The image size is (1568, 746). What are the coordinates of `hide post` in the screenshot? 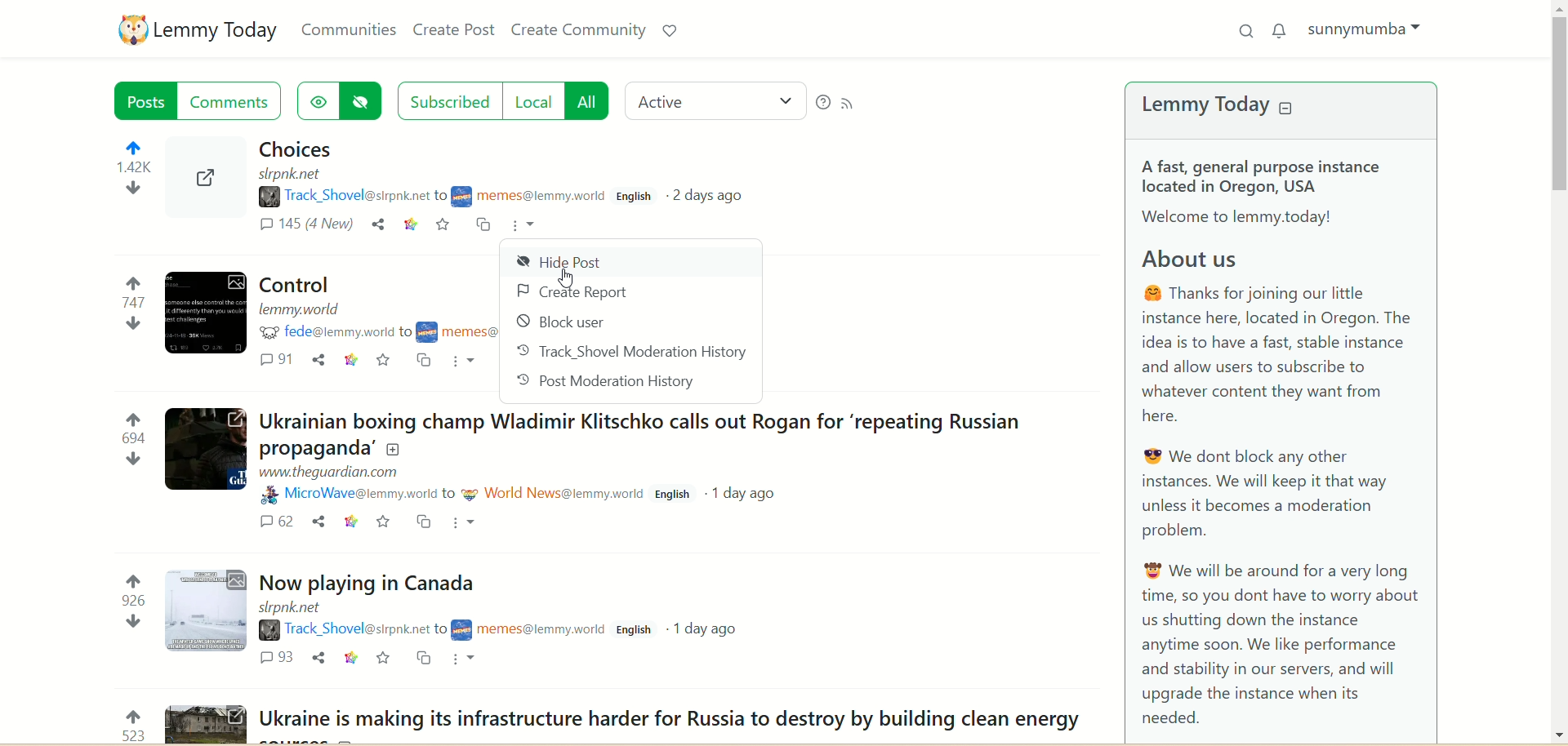 It's located at (555, 260).